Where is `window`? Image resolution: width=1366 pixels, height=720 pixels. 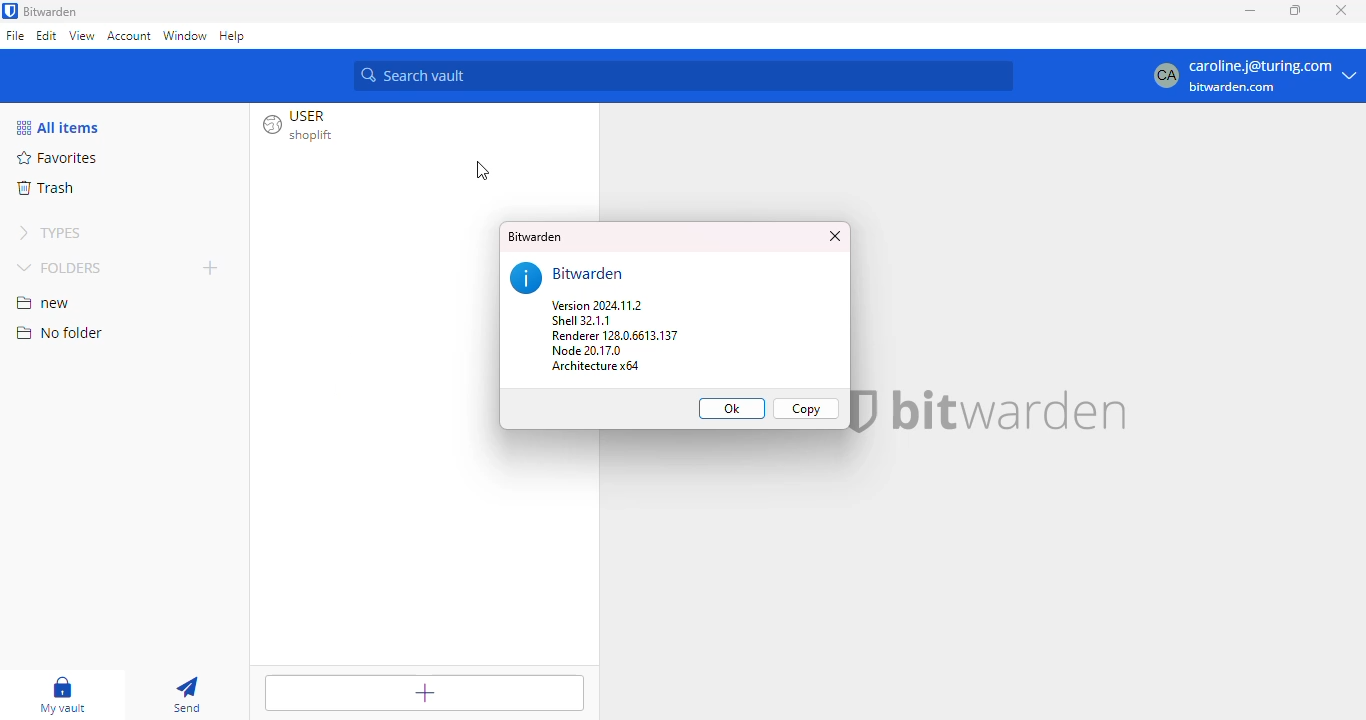 window is located at coordinates (185, 36).